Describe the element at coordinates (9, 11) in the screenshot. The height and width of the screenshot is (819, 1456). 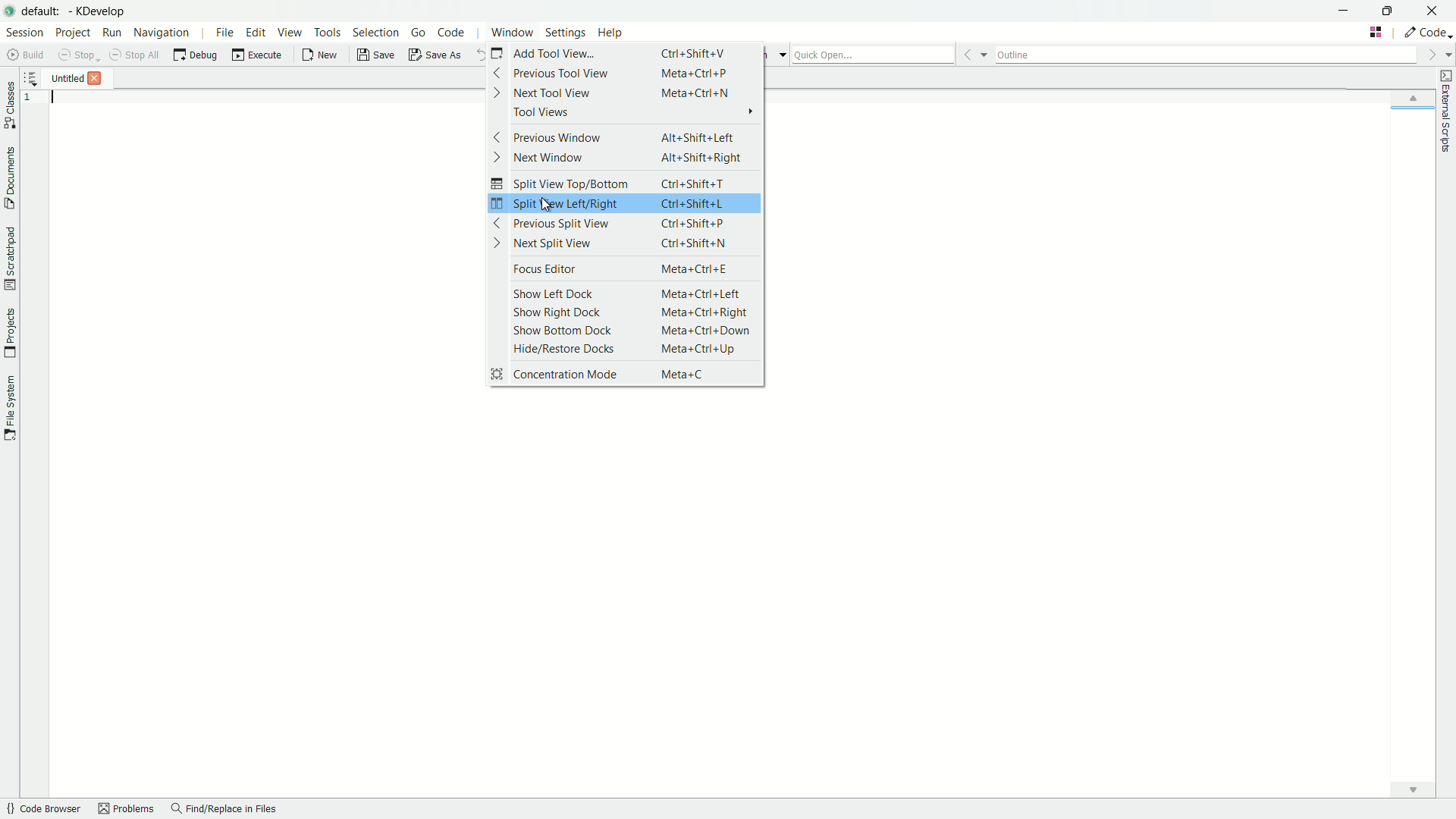
I see `app icon` at that location.